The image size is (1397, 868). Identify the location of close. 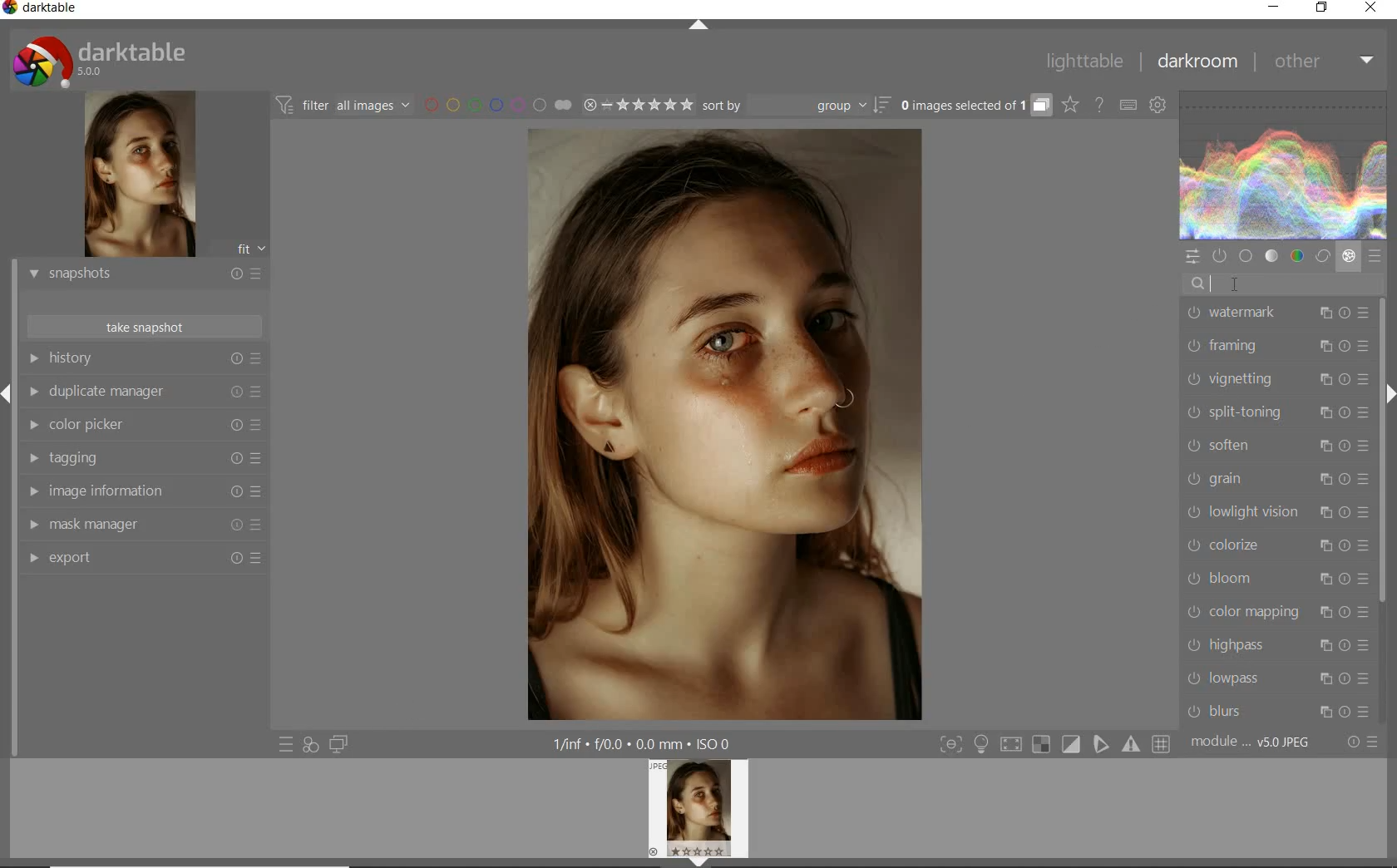
(1372, 9).